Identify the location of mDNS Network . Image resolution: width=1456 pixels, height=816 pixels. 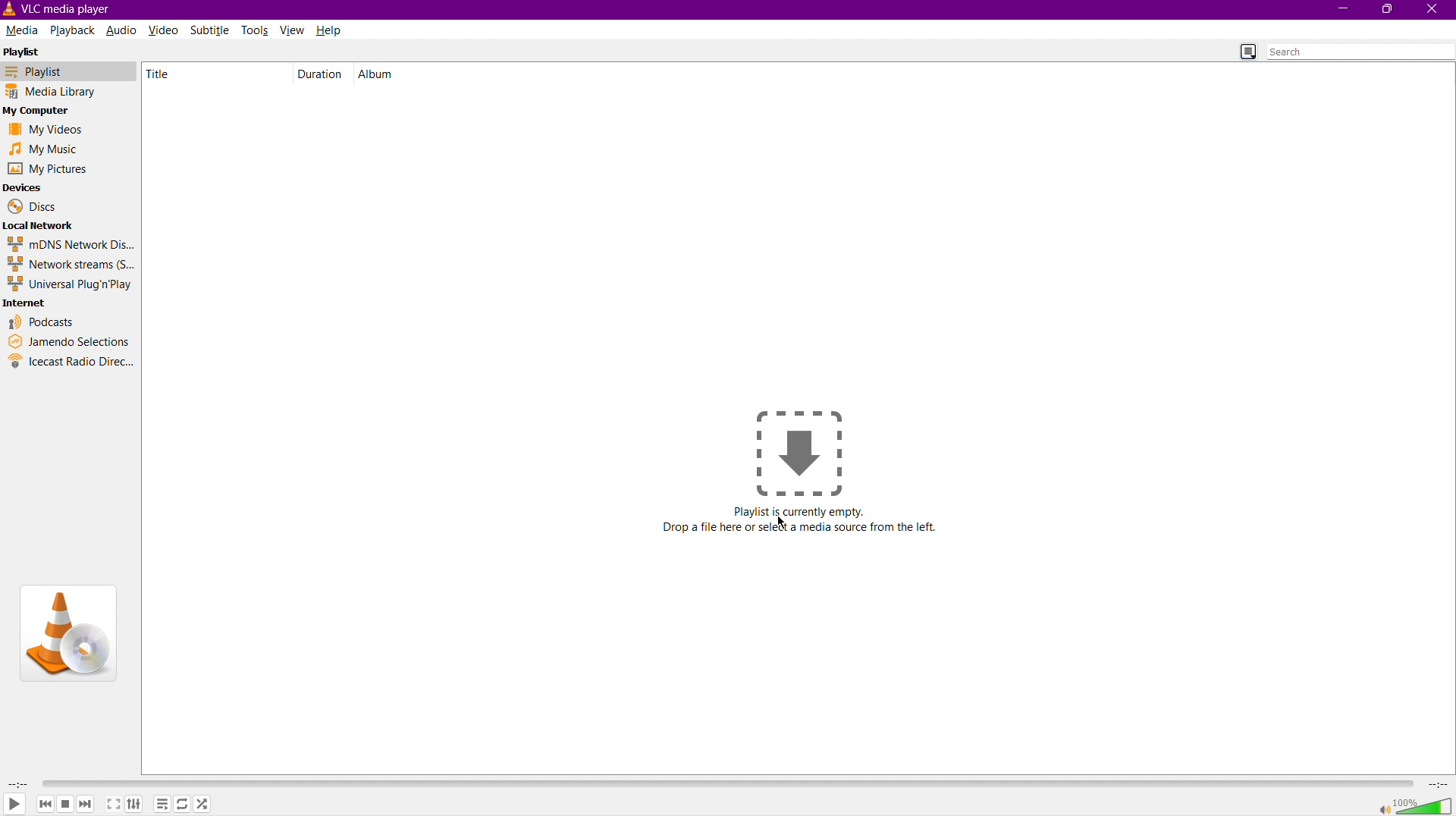
(72, 245).